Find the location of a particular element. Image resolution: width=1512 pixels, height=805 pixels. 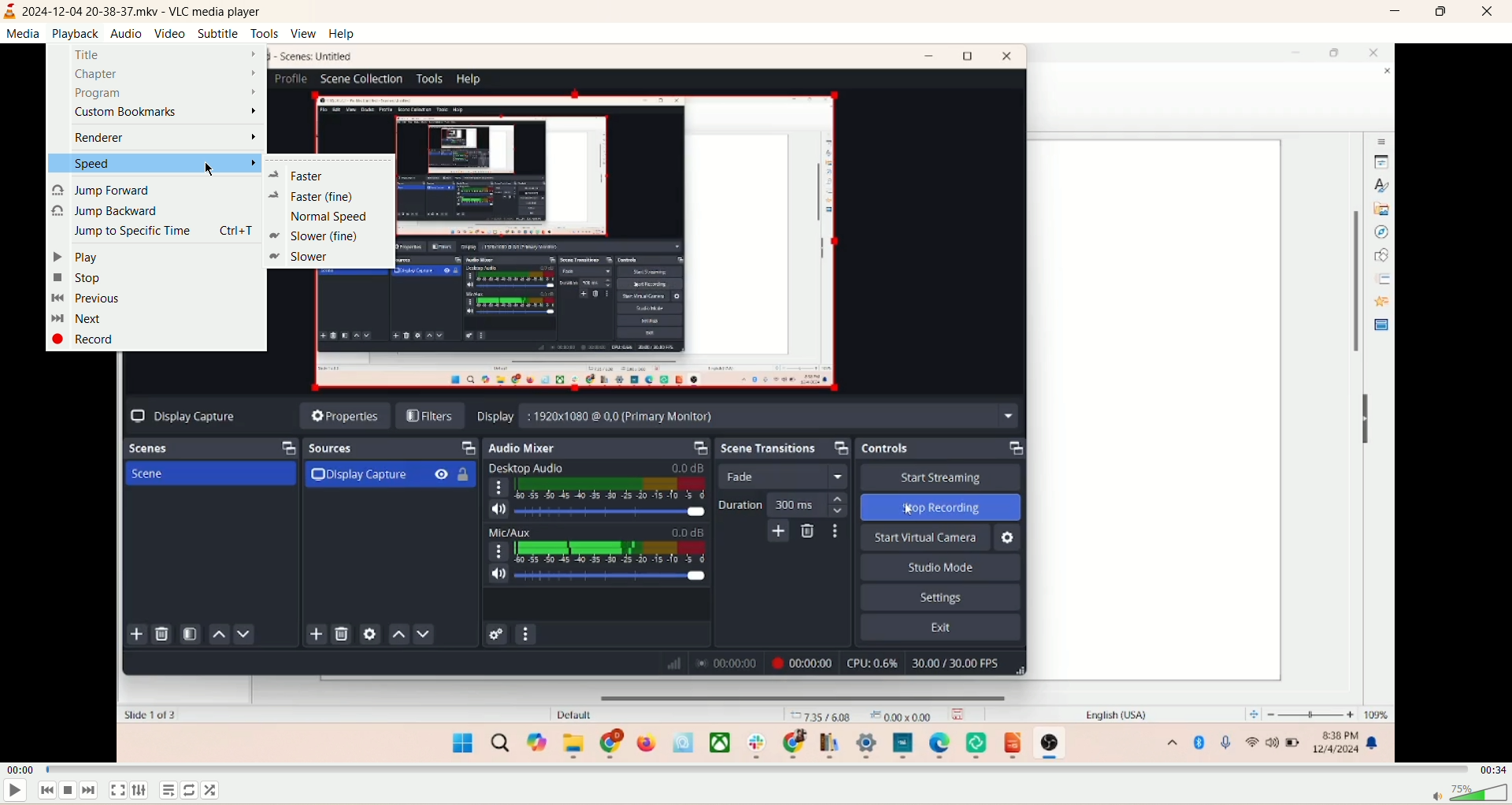

maximize is located at coordinates (1442, 14).